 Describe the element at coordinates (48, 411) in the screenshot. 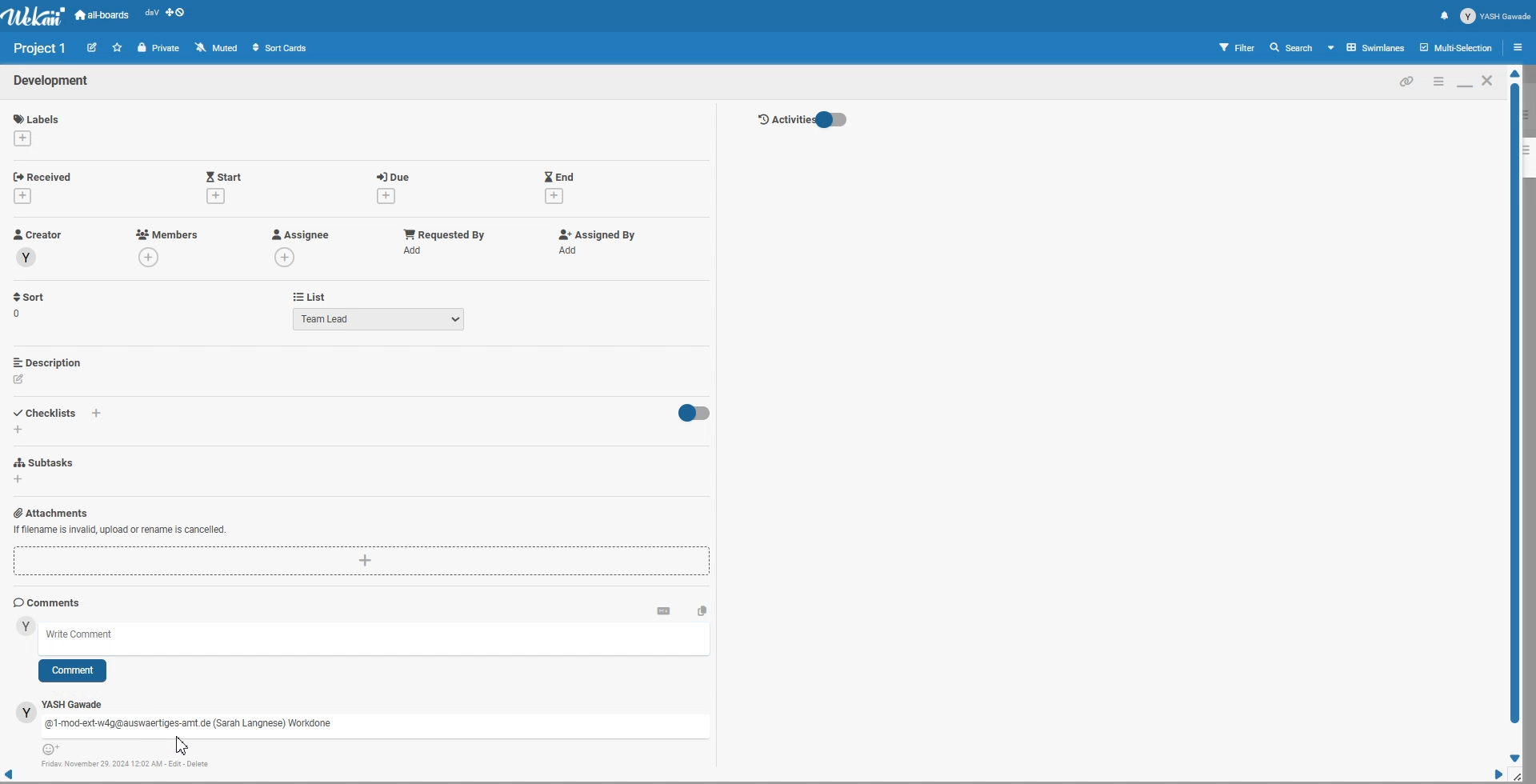

I see `Add Checklist` at that location.